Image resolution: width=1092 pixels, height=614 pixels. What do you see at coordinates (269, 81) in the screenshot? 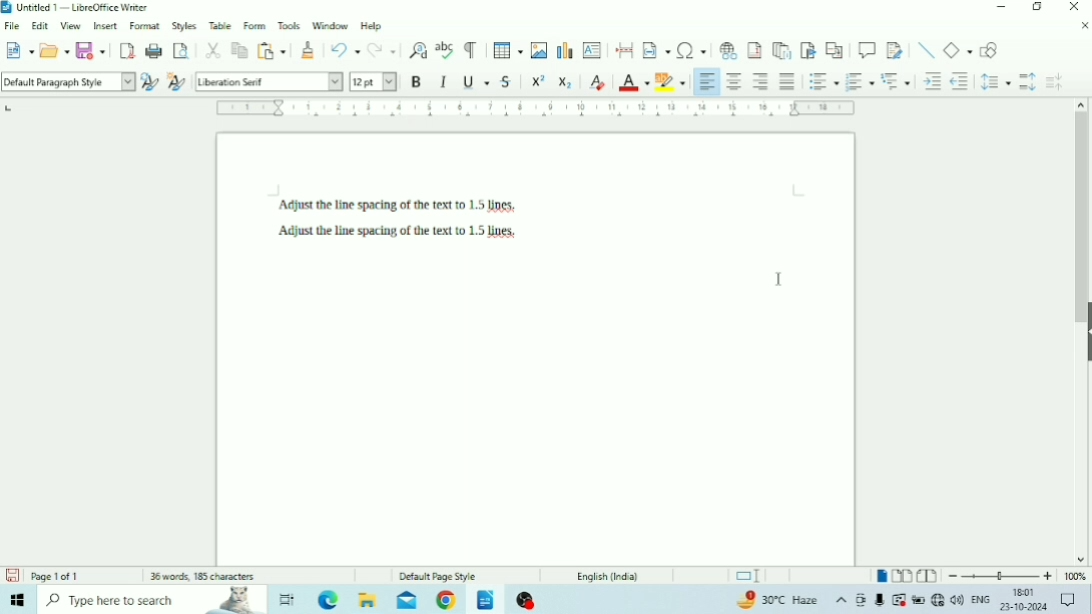
I see `Font Name` at bounding box center [269, 81].